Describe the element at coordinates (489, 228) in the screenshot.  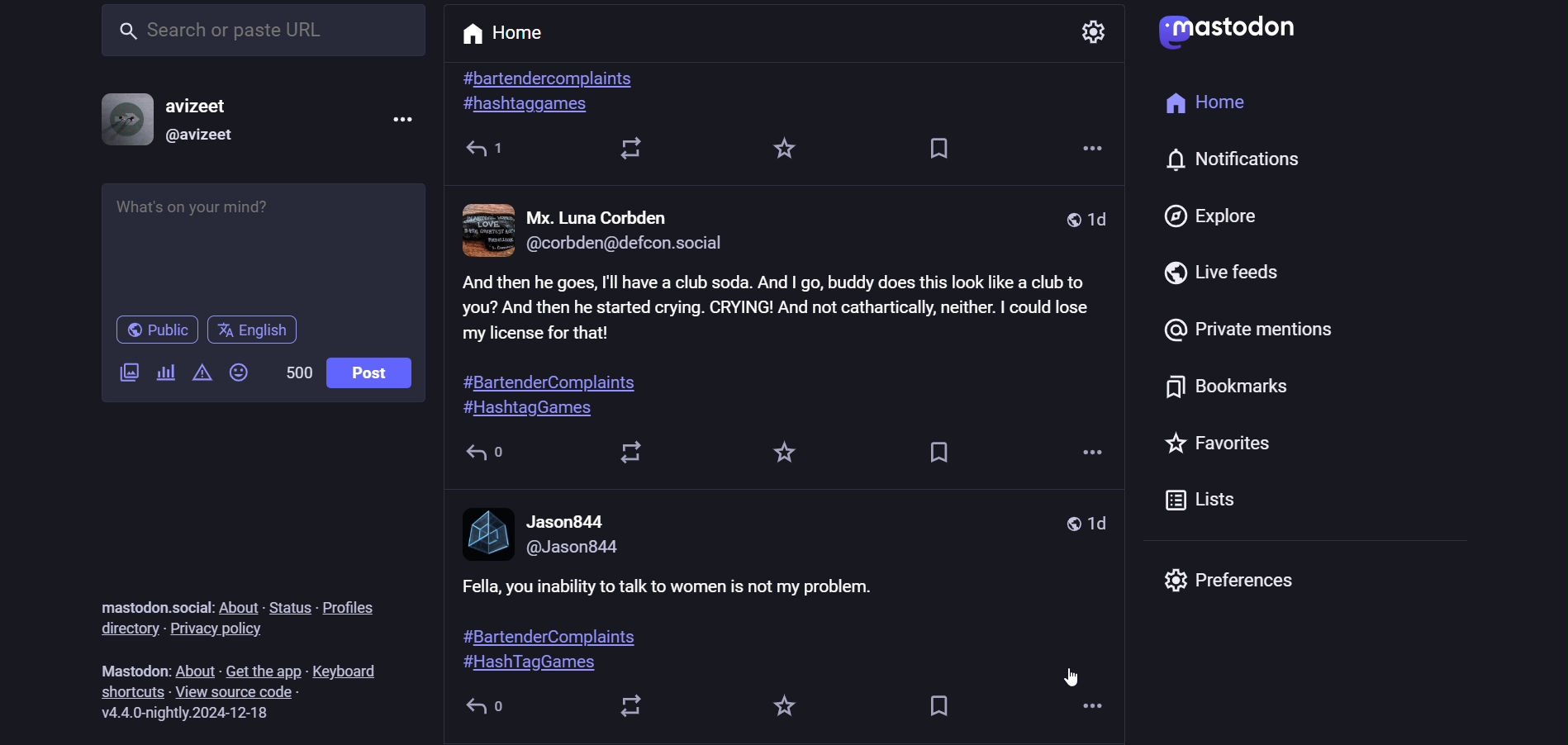
I see `image` at that location.